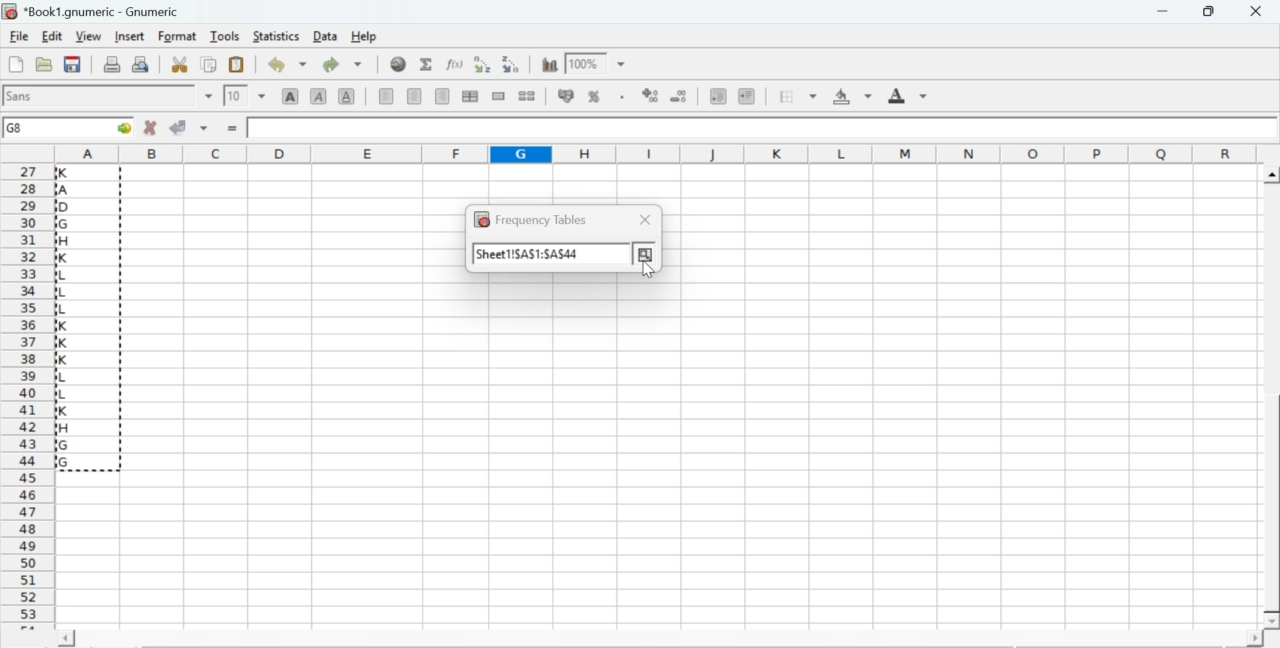  What do you see at coordinates (52, 36) in the screenshot?
I see `edit` at bounding box center [52, 36].